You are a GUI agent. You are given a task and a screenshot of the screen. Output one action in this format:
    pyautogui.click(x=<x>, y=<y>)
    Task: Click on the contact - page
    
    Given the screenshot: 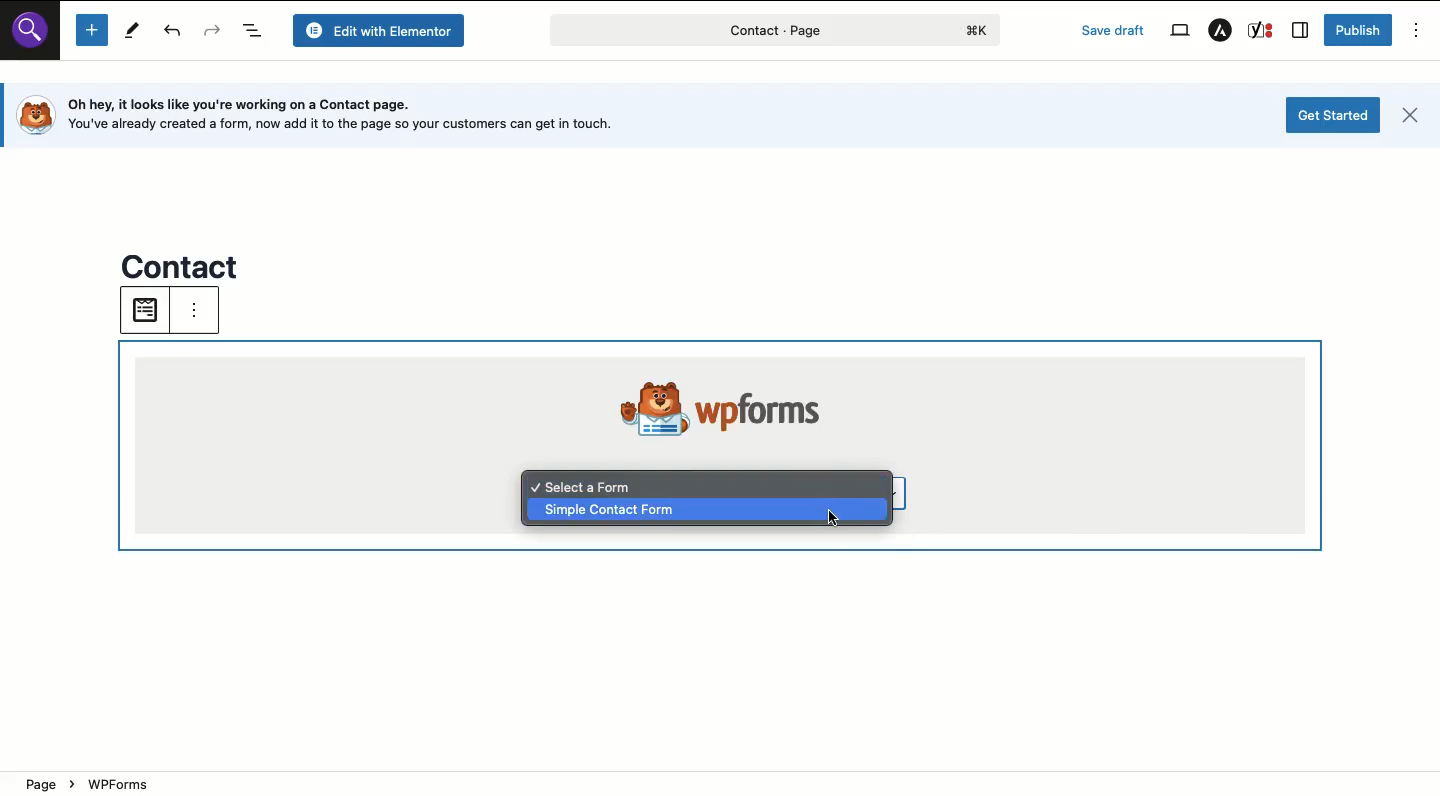 What is the action you would take?
    pyautogui.click(x=706, y=34)
    